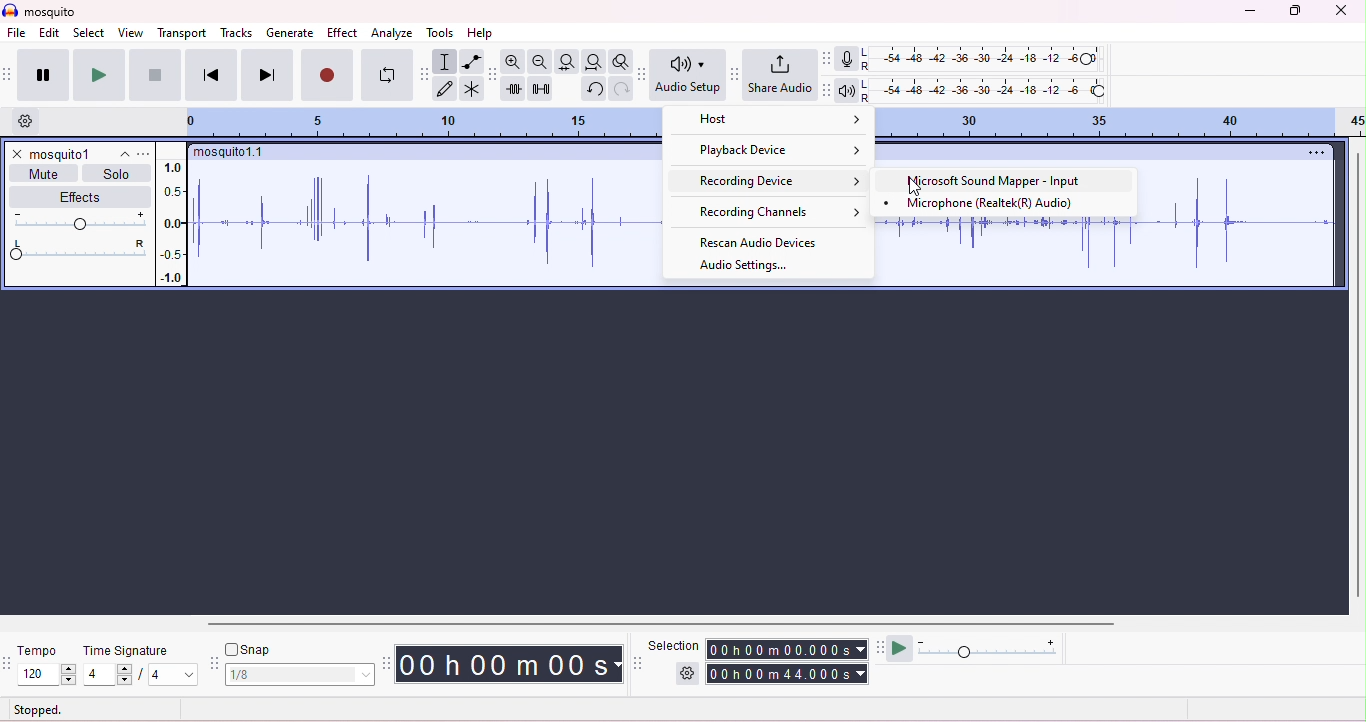  I want to click on effects, so click(82, 196).